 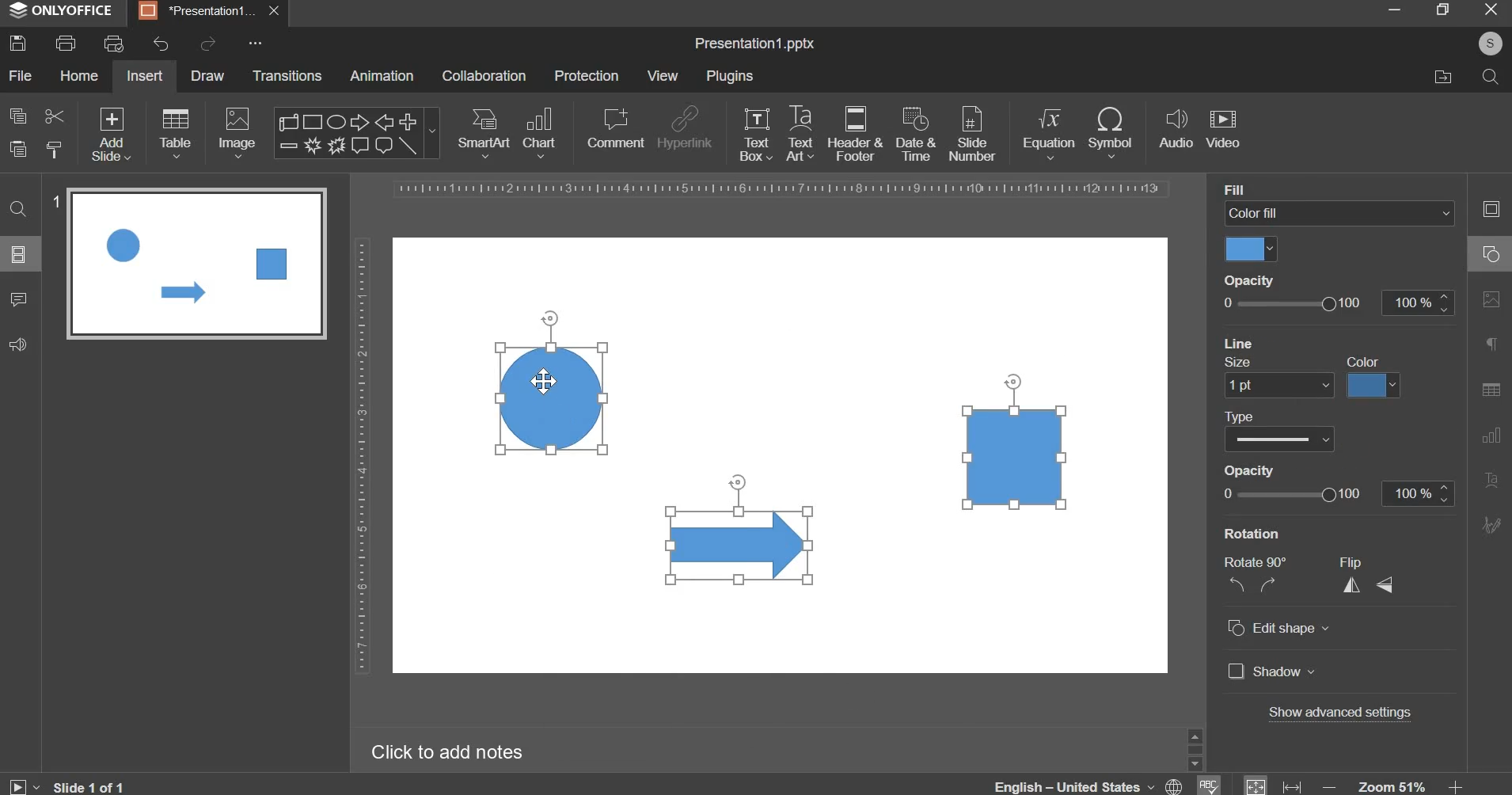 I want to click on fill, so click(x=1245, y=190).